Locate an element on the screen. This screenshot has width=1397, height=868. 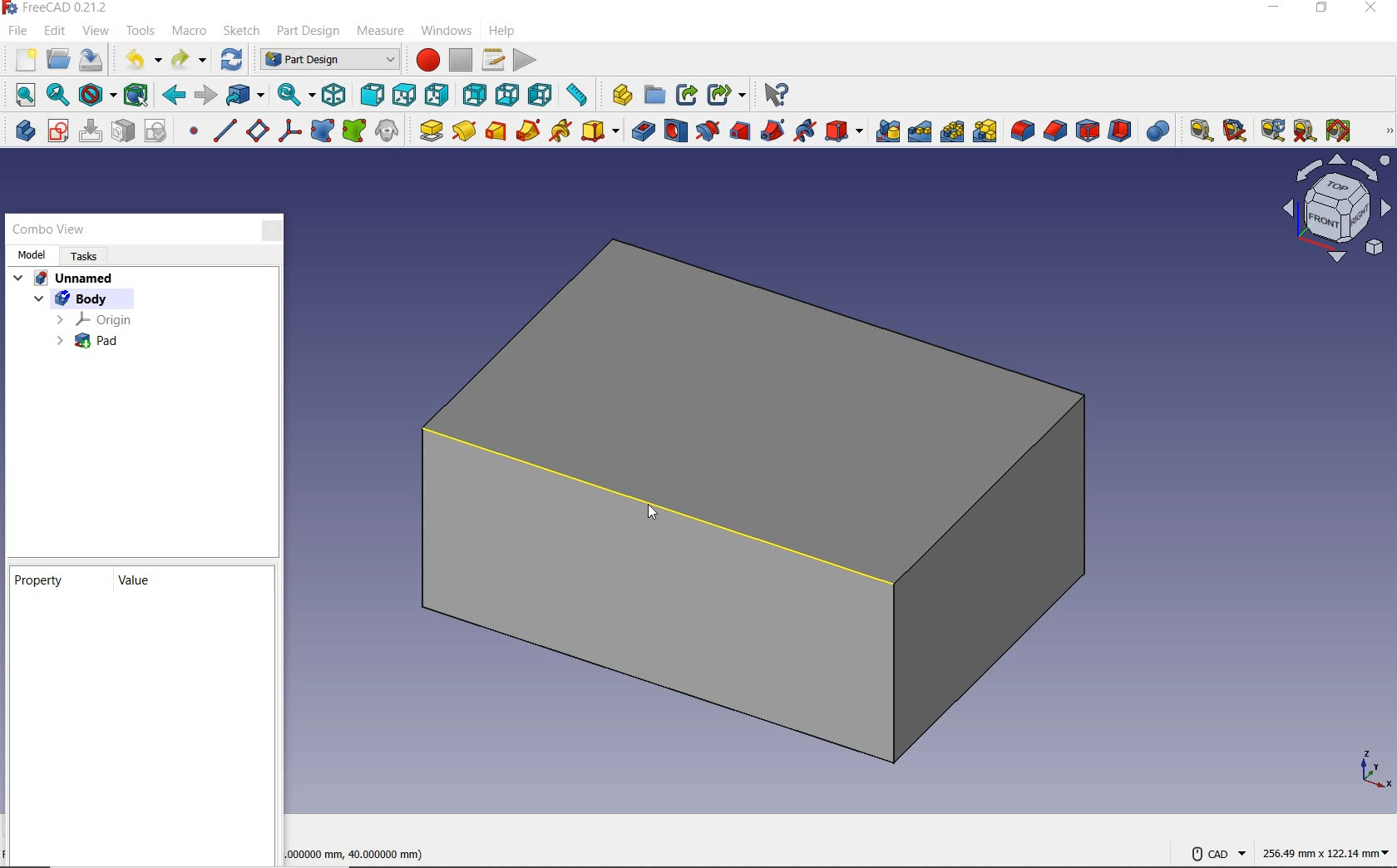
box sketch is located at coordinates (759, 504).